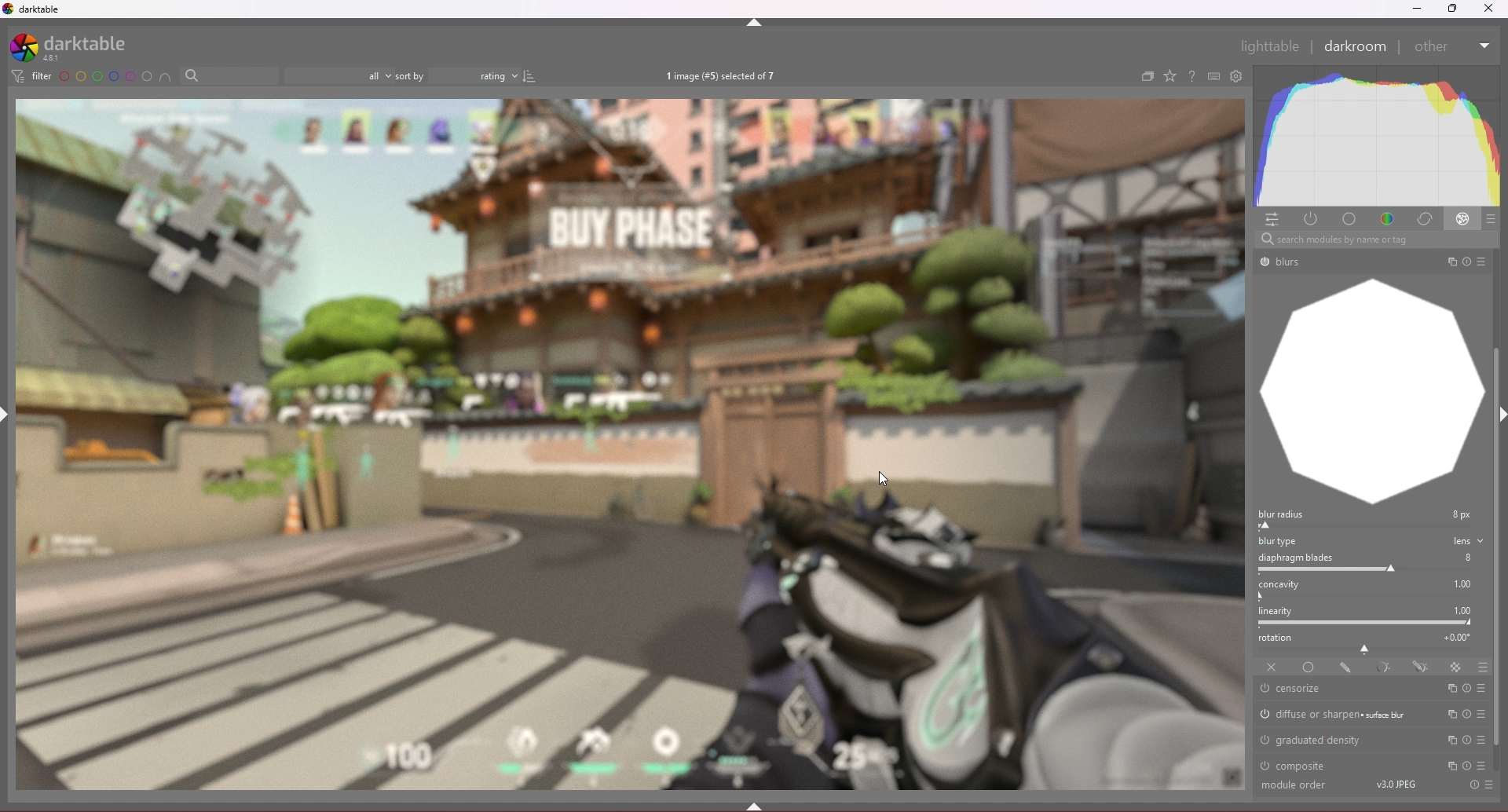 The image size is (1508, 812). I want to click on cursor description, so click(1485, 763).